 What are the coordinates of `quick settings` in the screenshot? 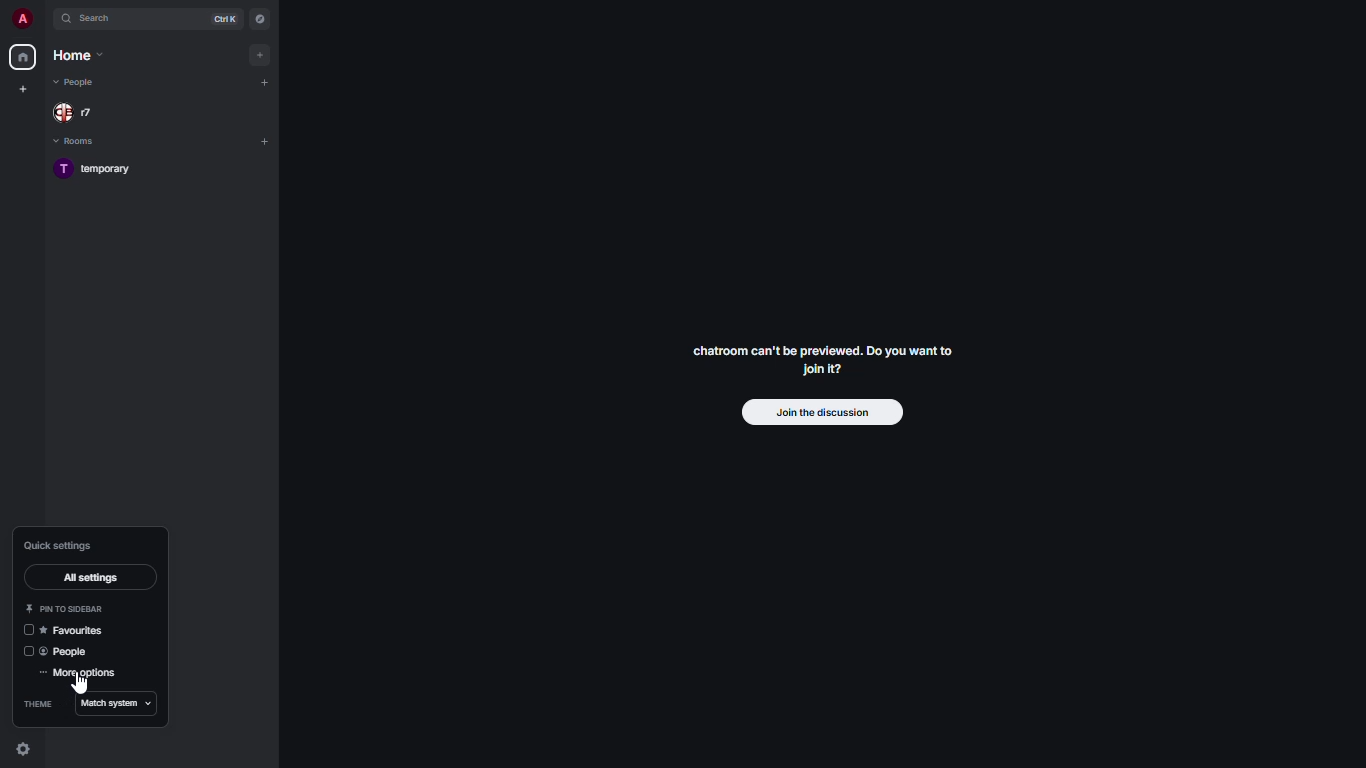 It's located at (20, 750).